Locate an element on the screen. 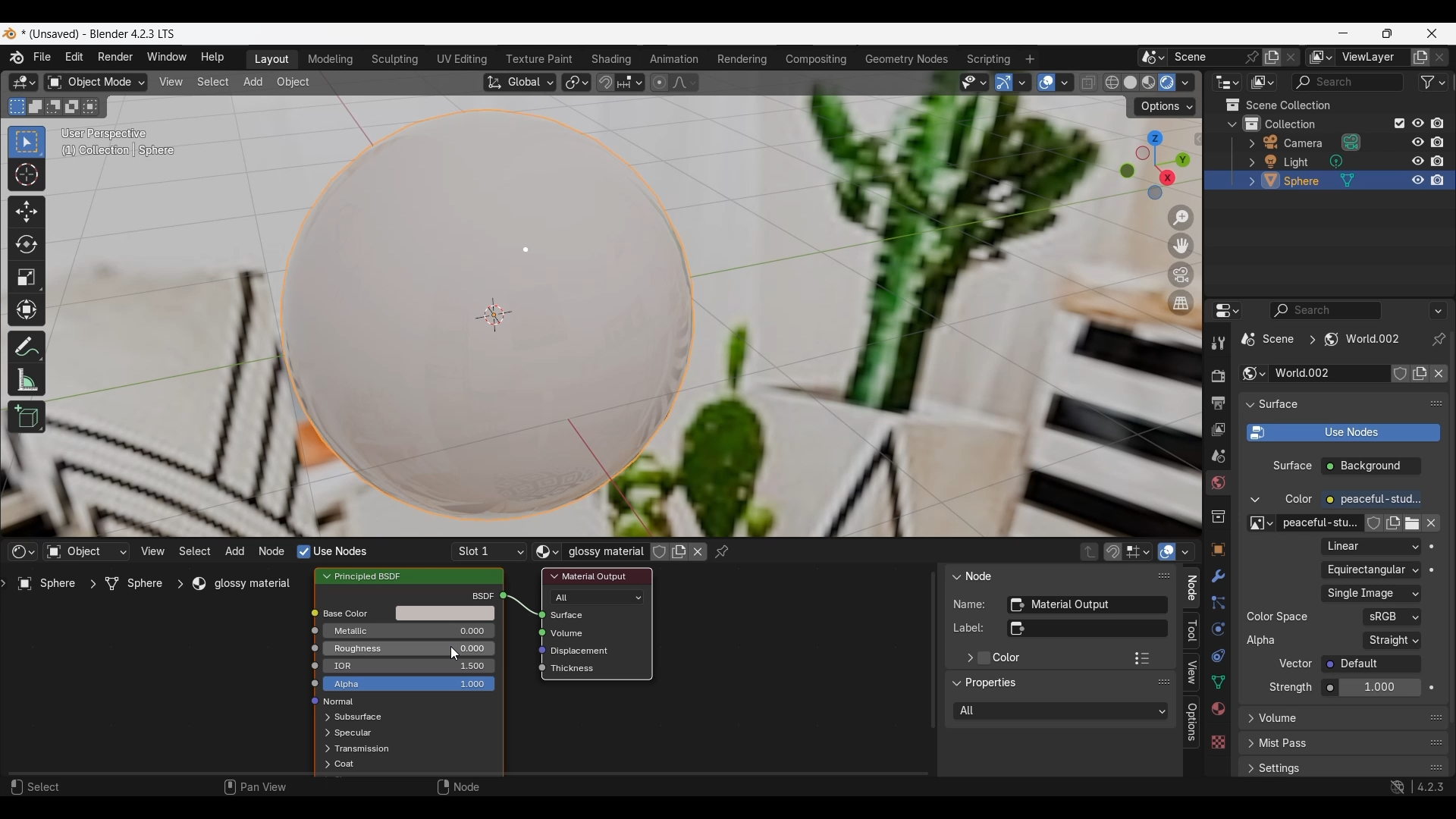 The width and height of the screenshot is (1456, 819). Strength of the emitted light is located at coordinates (1371, 688).